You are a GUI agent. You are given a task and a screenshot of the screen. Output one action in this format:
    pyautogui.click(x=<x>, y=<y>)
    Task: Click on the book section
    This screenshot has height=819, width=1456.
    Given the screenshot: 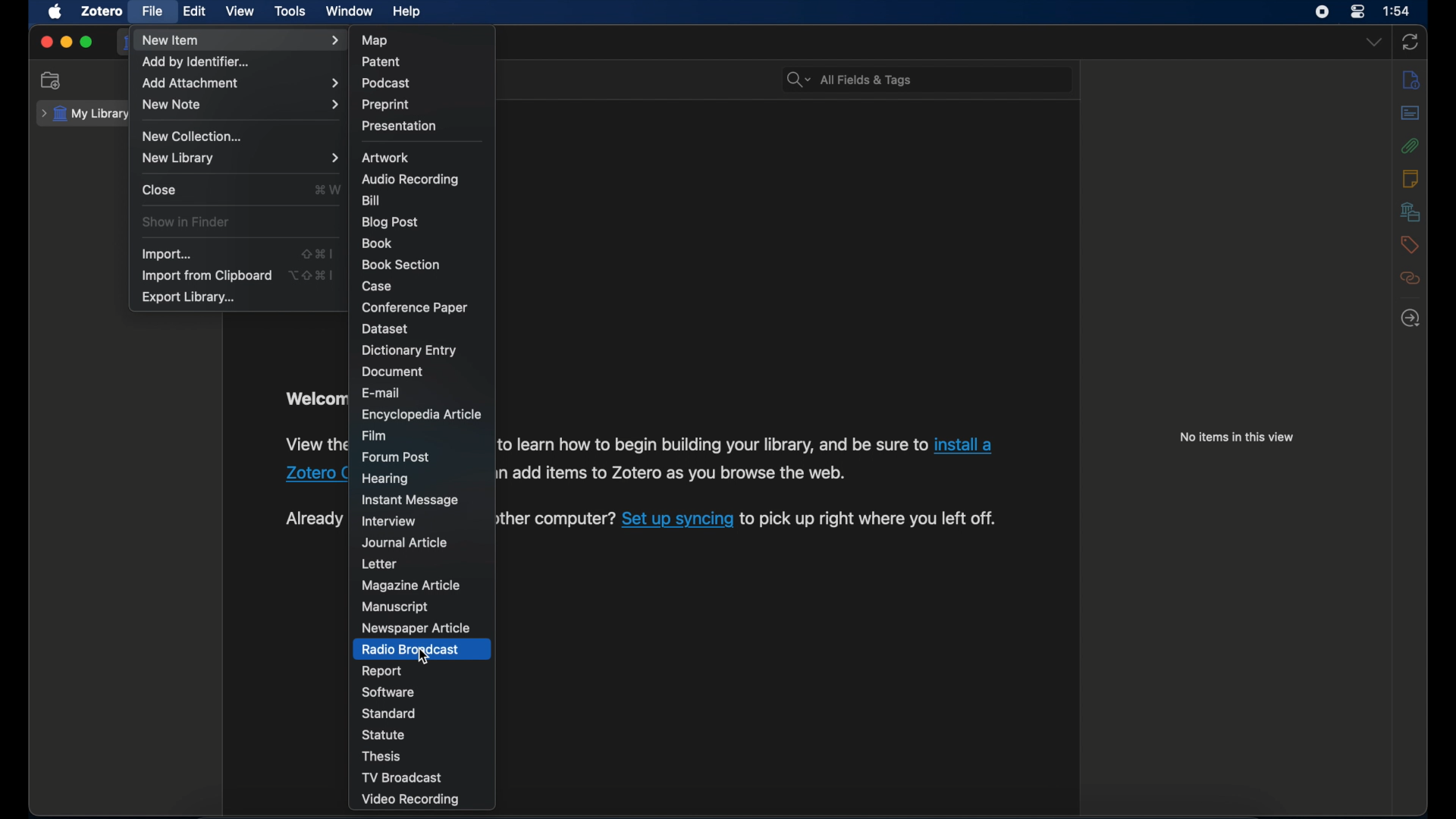 What is the action you would take?
    pyautogui.click(x=401, y=265)
    